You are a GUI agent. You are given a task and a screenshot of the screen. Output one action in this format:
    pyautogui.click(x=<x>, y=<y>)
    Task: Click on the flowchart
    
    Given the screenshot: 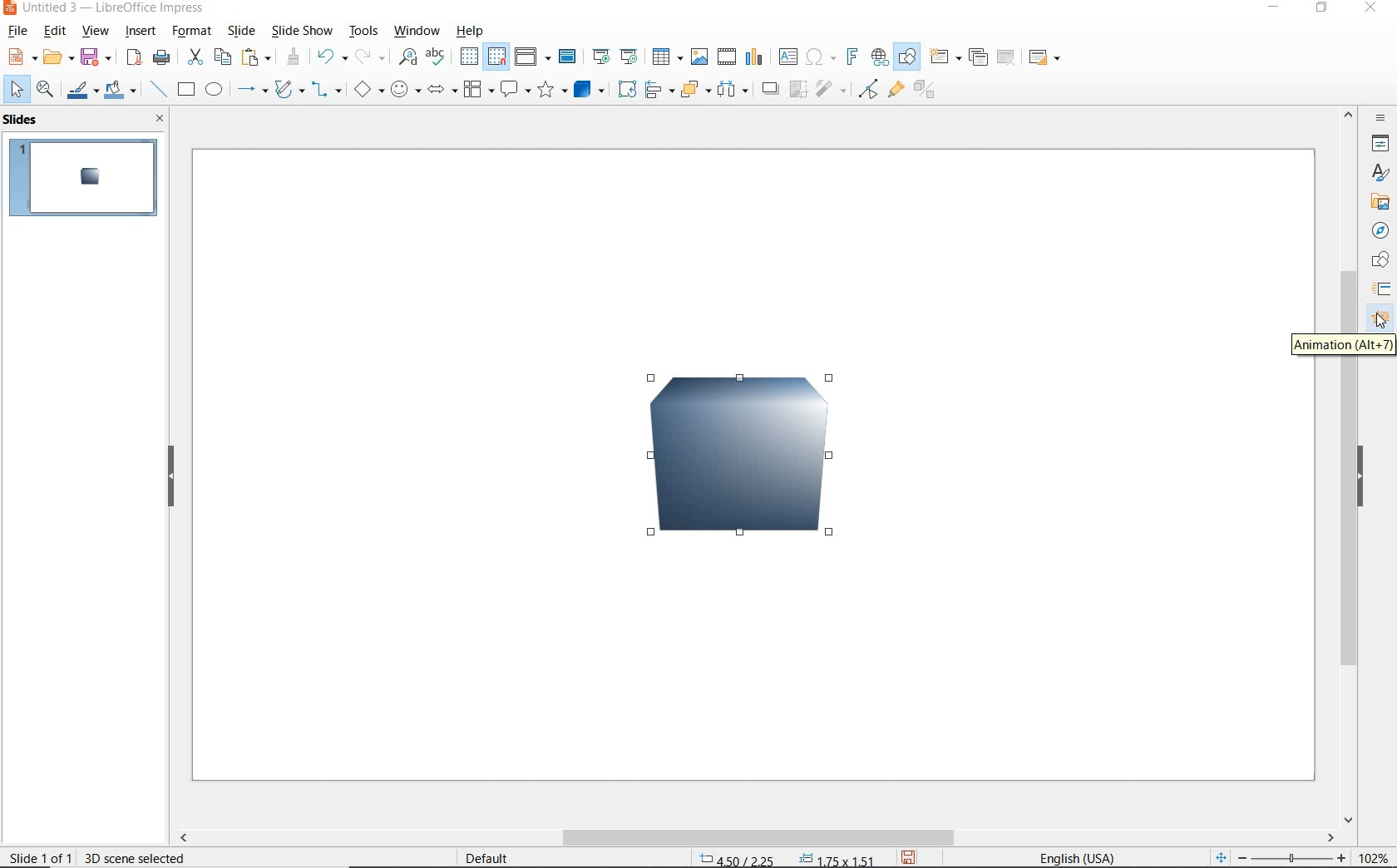 What is the action you would take?
    pyautogui.click(x=477, y=91)
    